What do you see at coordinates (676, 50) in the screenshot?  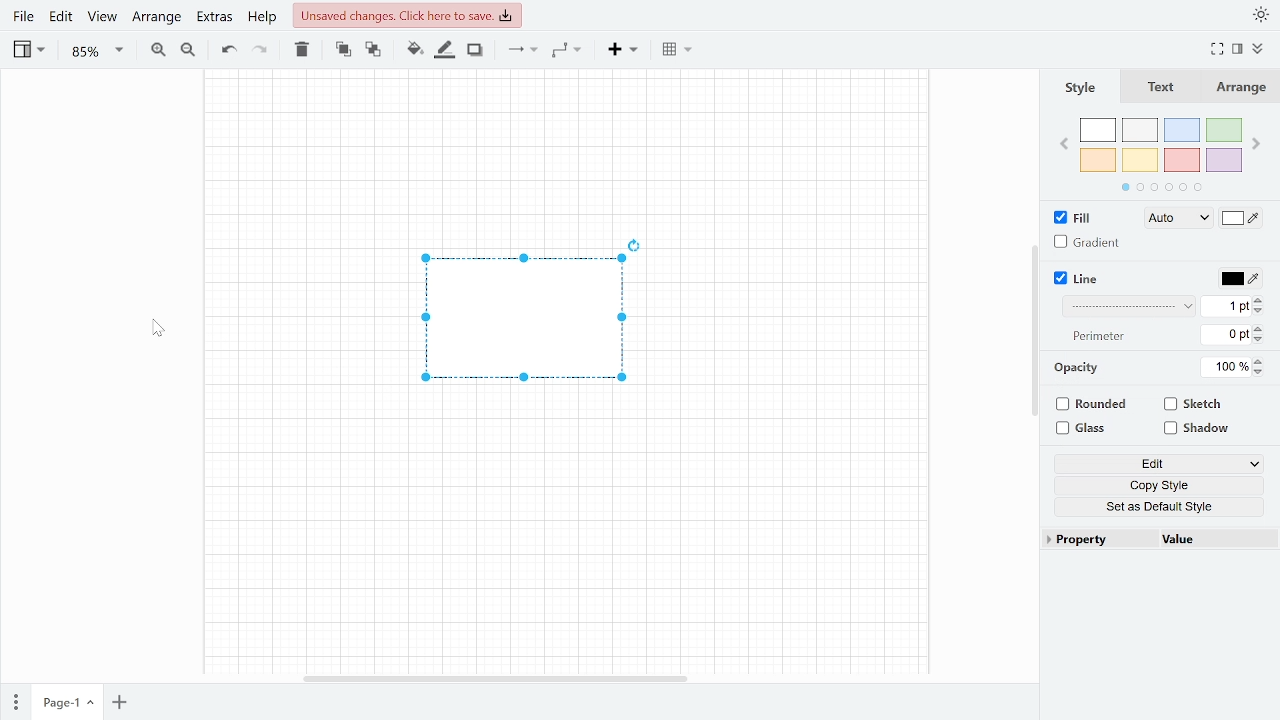 I see `Table` at bounding box center [676, 50].